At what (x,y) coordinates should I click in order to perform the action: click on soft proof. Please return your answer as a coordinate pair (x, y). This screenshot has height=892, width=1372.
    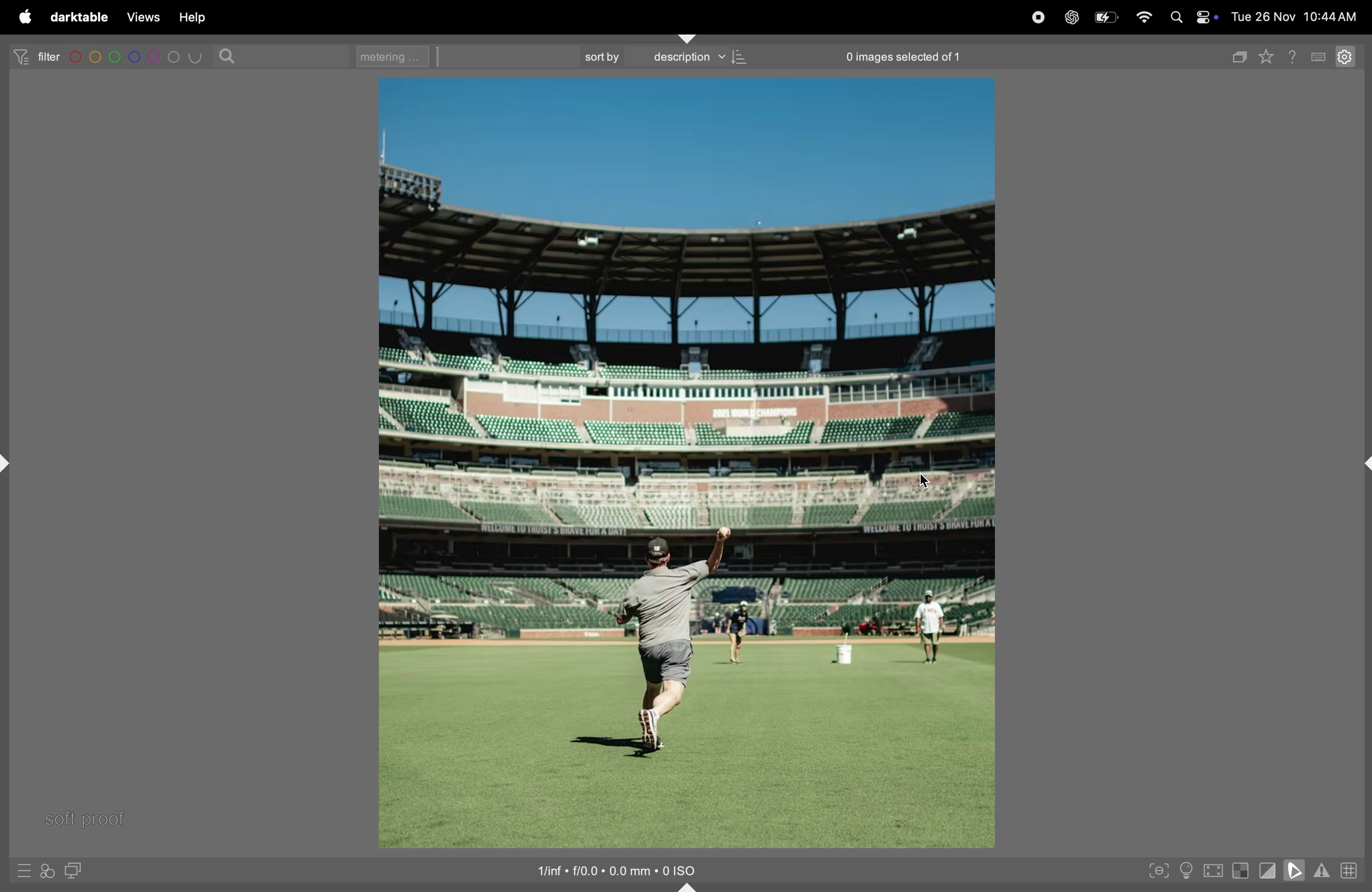
    Looking at the image, I should click on (101, 821).